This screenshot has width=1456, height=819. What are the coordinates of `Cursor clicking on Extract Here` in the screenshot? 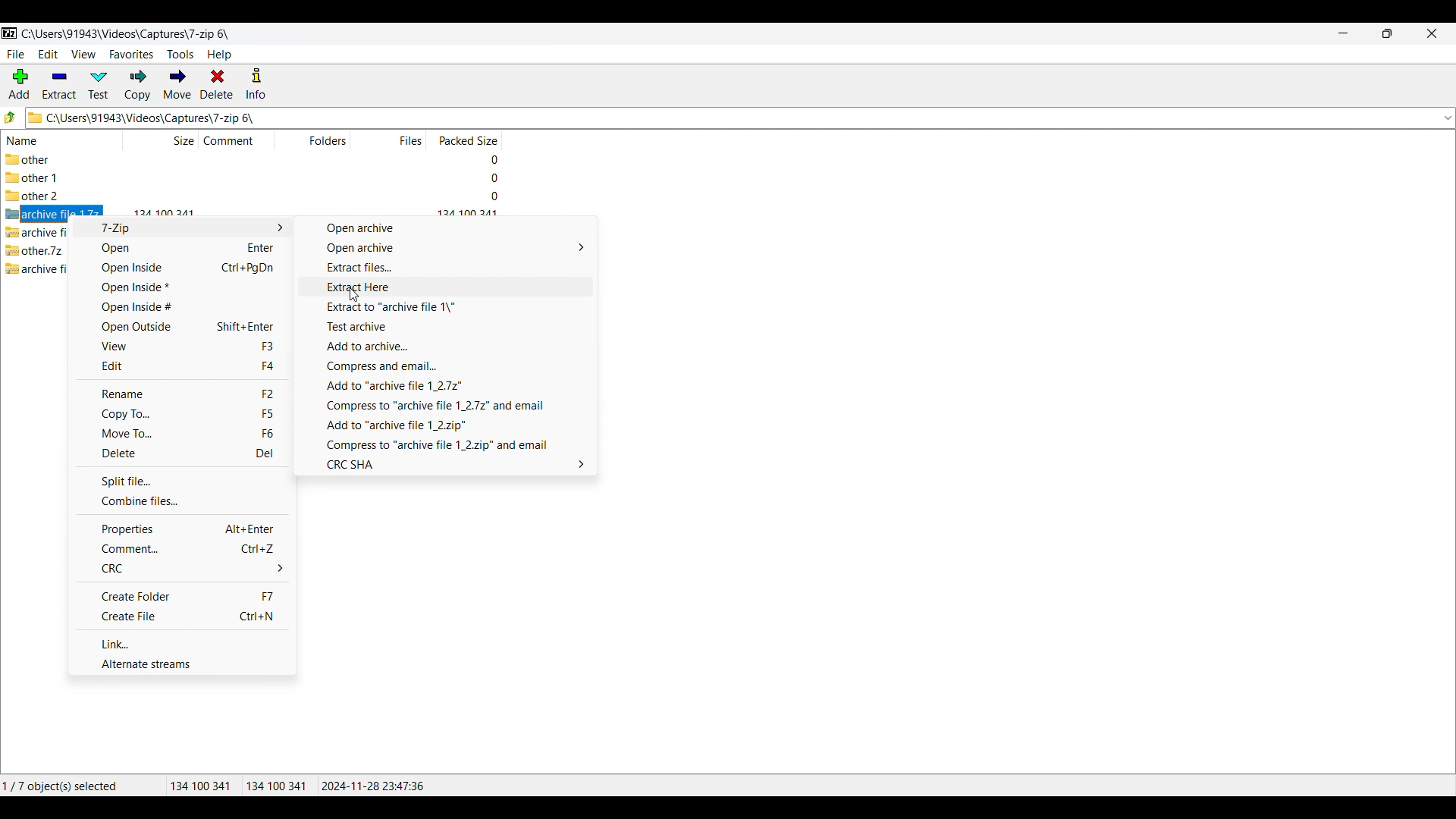 It's located at (353, 295).